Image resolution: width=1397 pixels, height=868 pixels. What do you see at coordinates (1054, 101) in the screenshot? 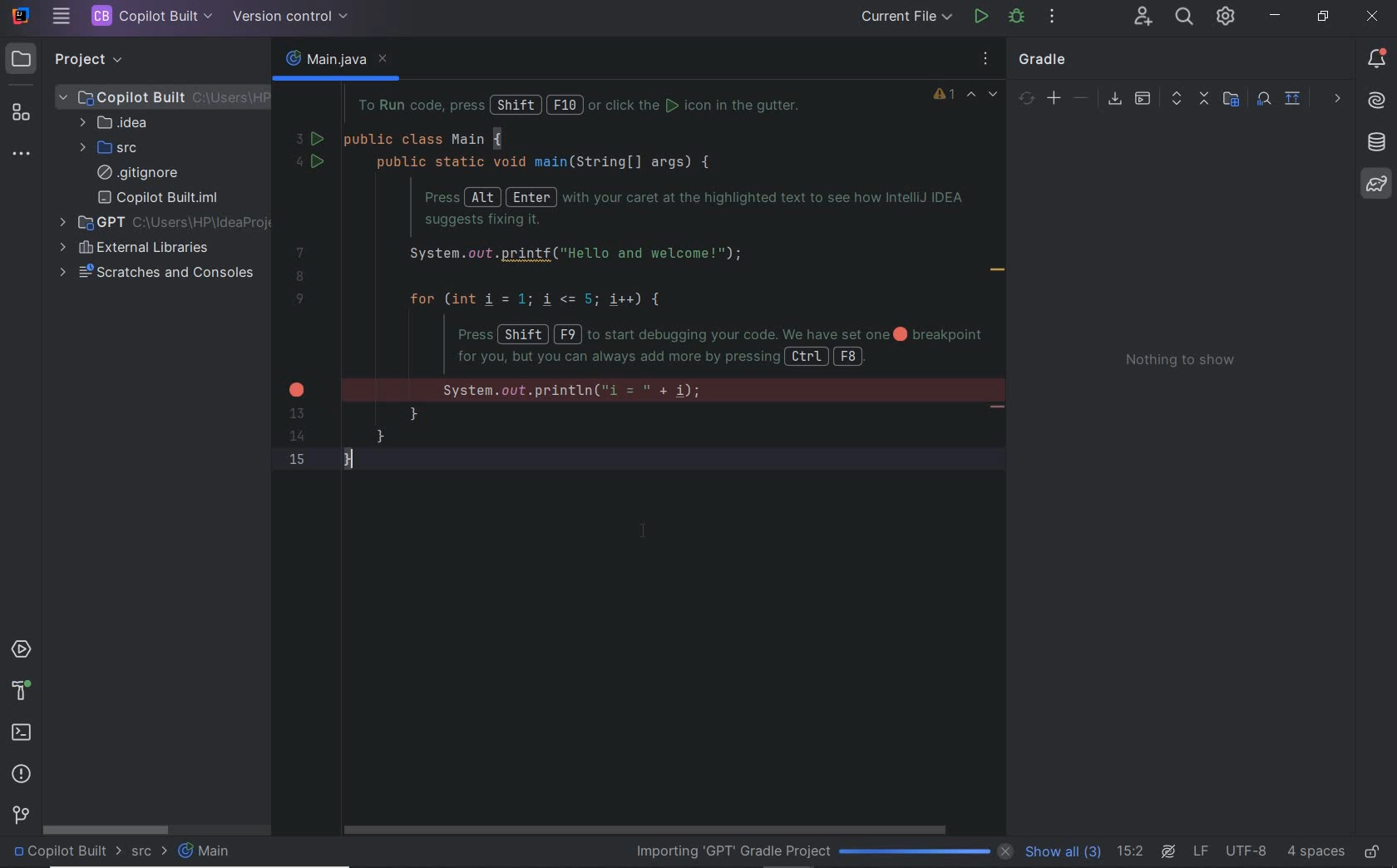
I see `link gradle project` at bounding box center [1054, 101].